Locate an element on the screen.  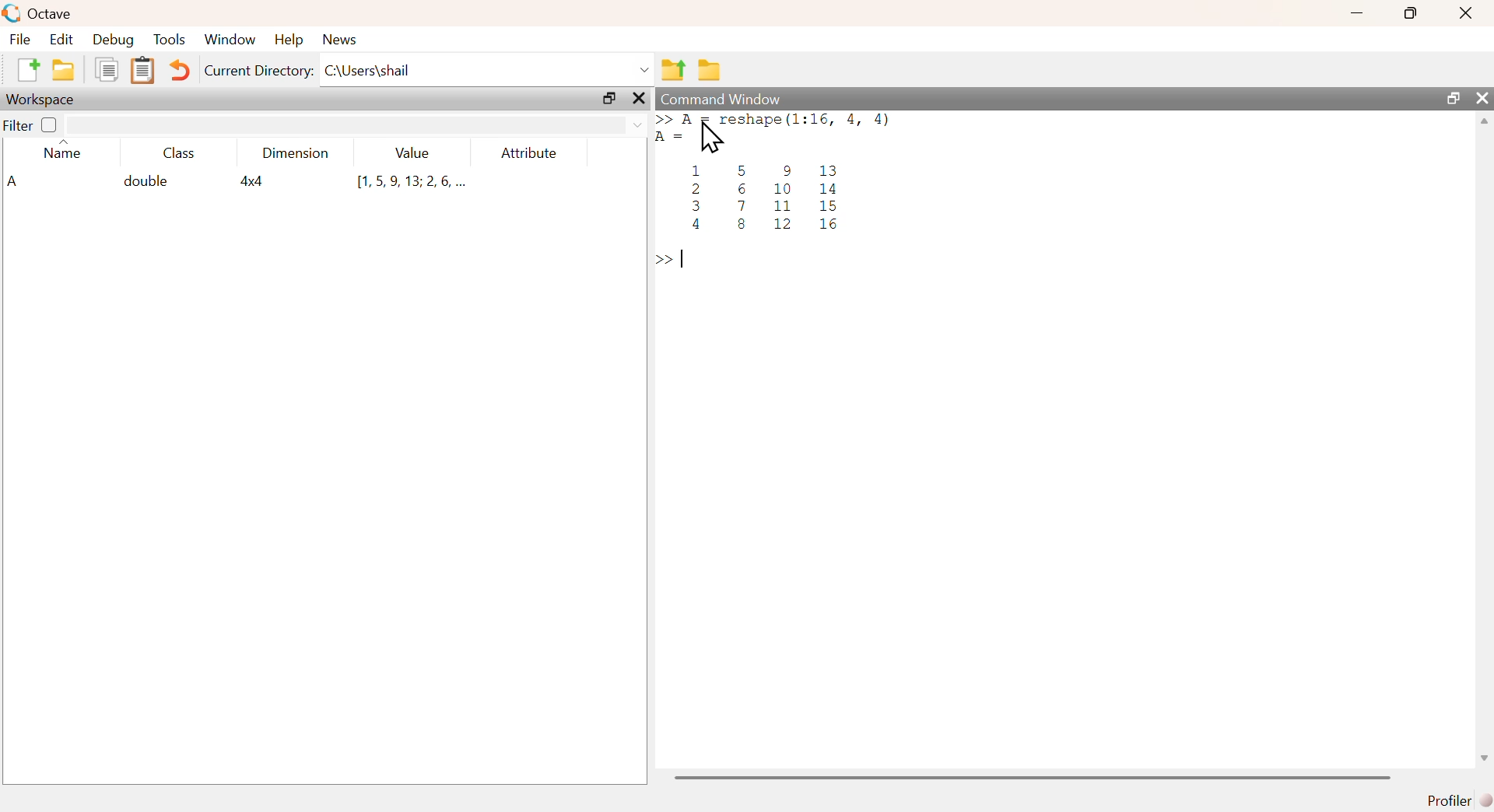
command window is located at coordinates (721, 96).